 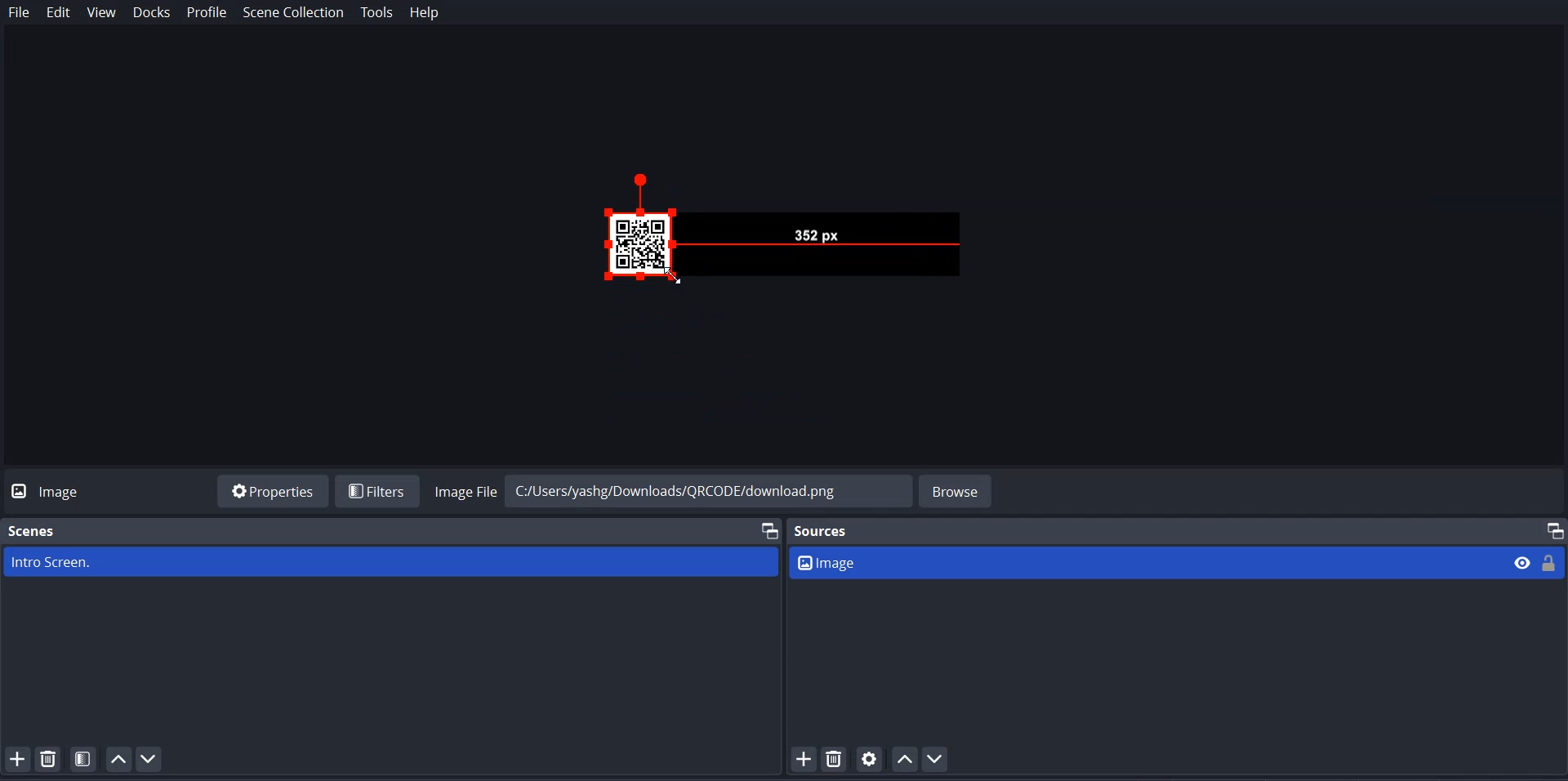 I want to click on Edit, so click(x=59, y=13).